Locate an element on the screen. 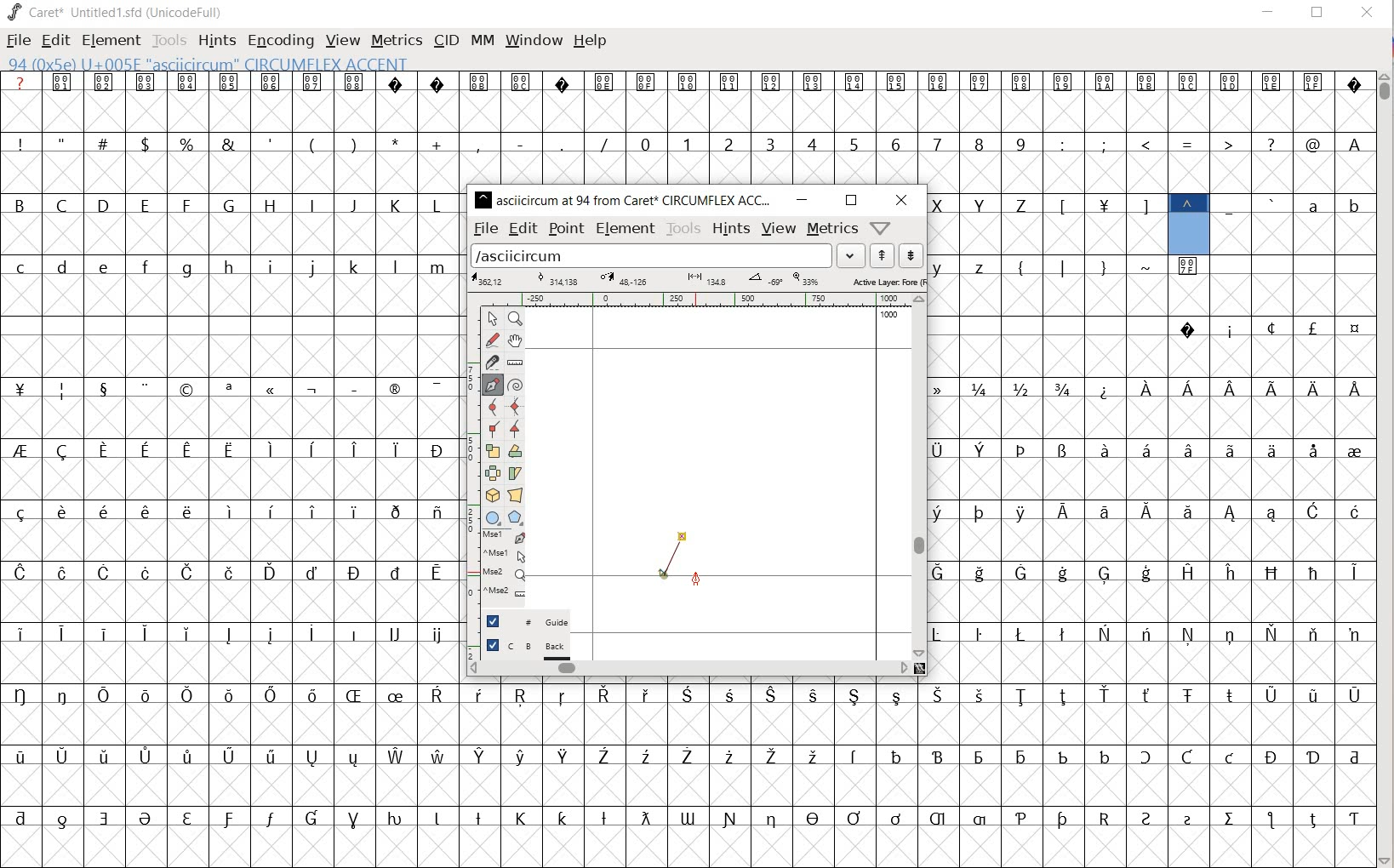 The height and width of the screenshot is (868, 1394). window/help is located at coordinates (878, 227).